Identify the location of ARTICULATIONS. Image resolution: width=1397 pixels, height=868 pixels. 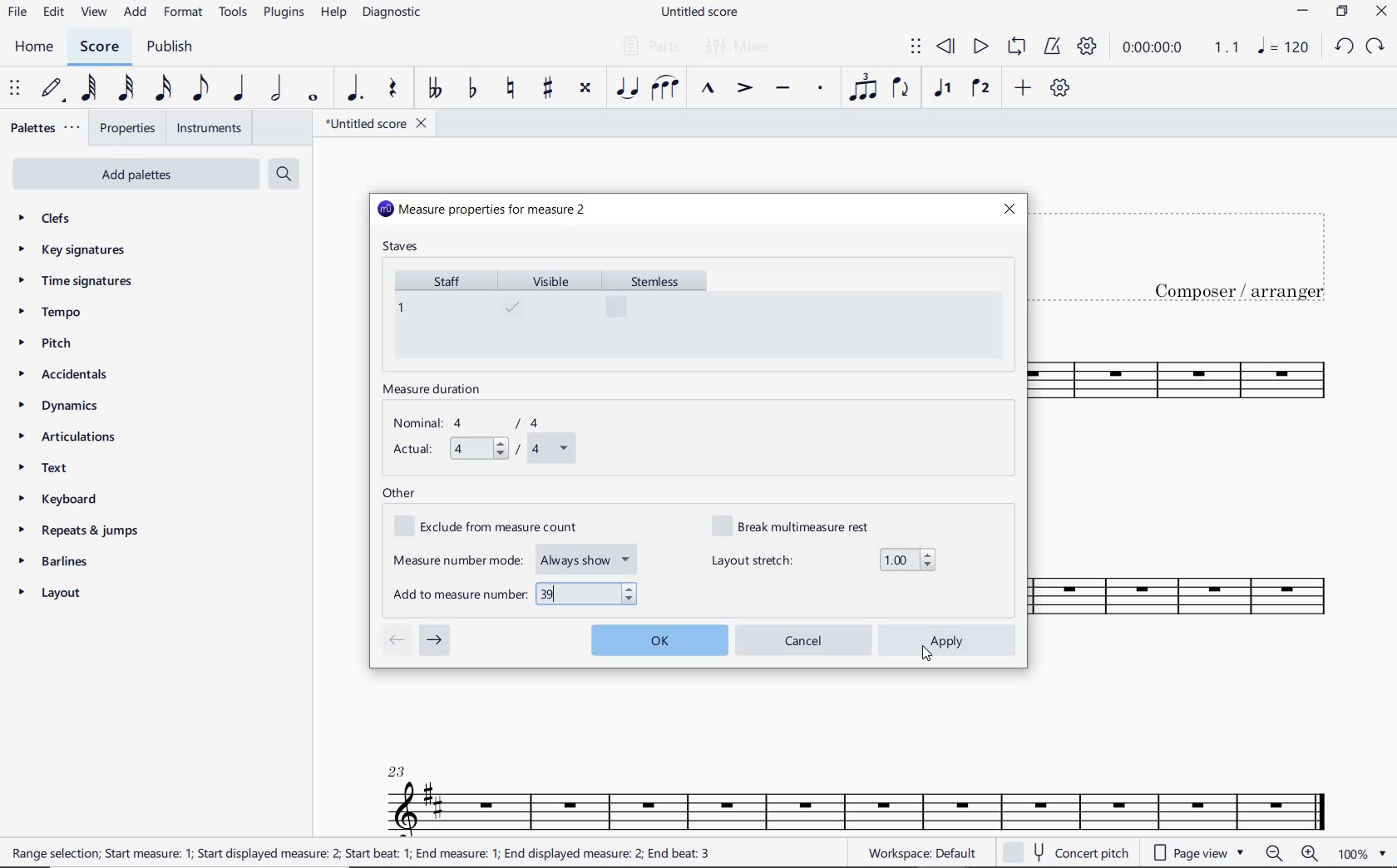
(68, 438).